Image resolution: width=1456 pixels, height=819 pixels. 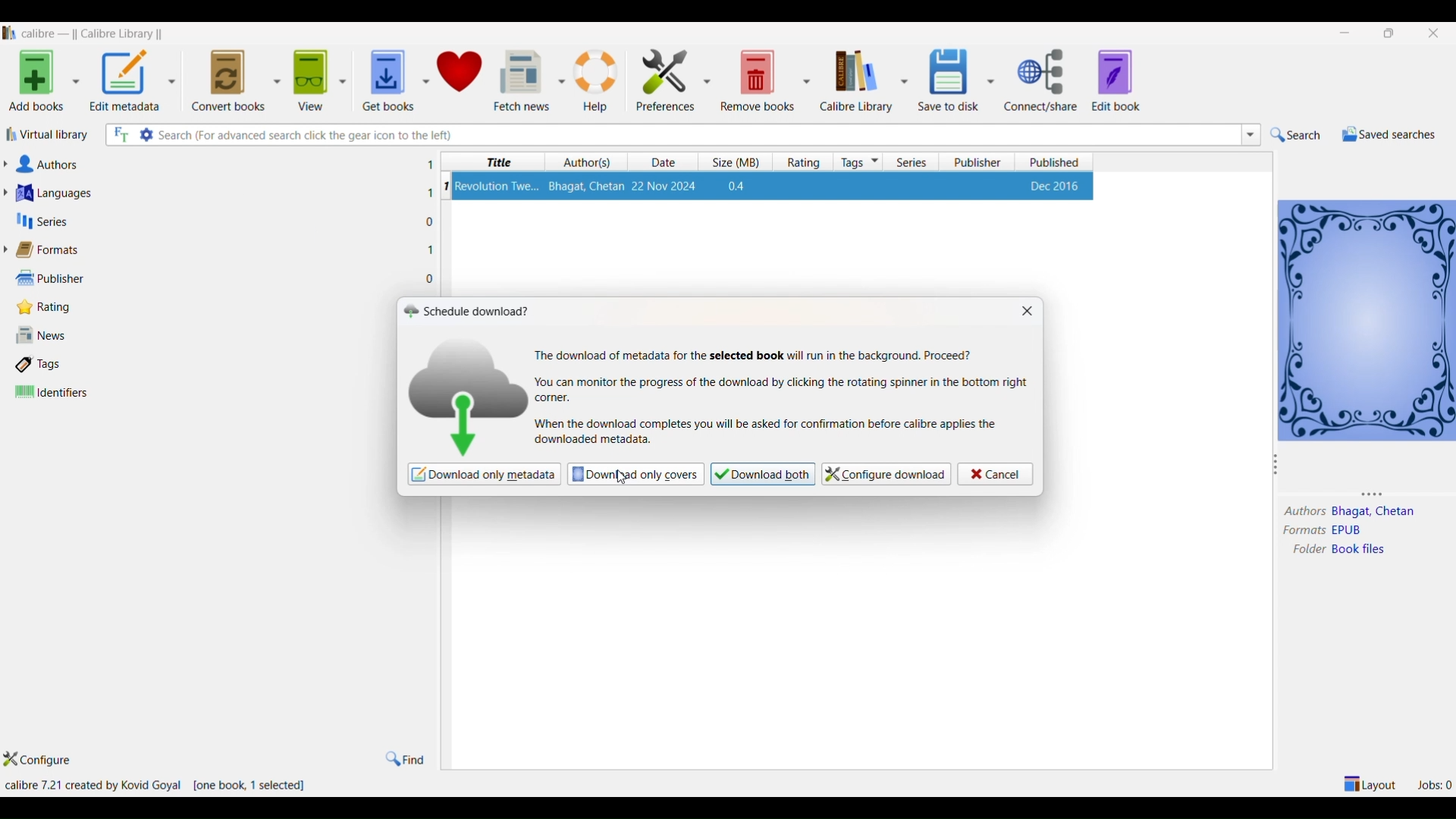 I want to click on save options dropdown button, so click(x=991, y=80).